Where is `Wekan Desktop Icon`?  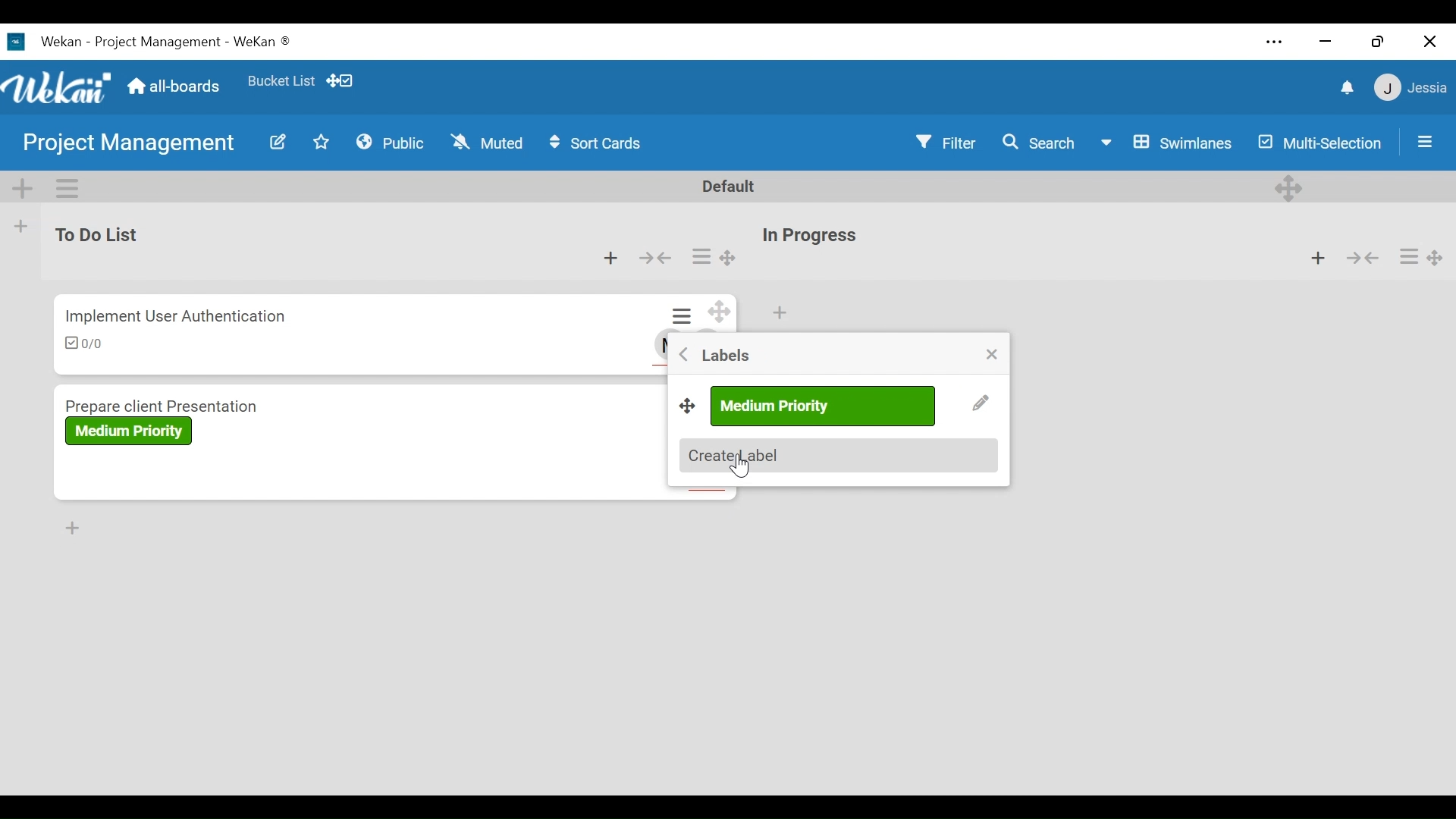 Wekan Desktop Icon is located at coordinates (156, 40).